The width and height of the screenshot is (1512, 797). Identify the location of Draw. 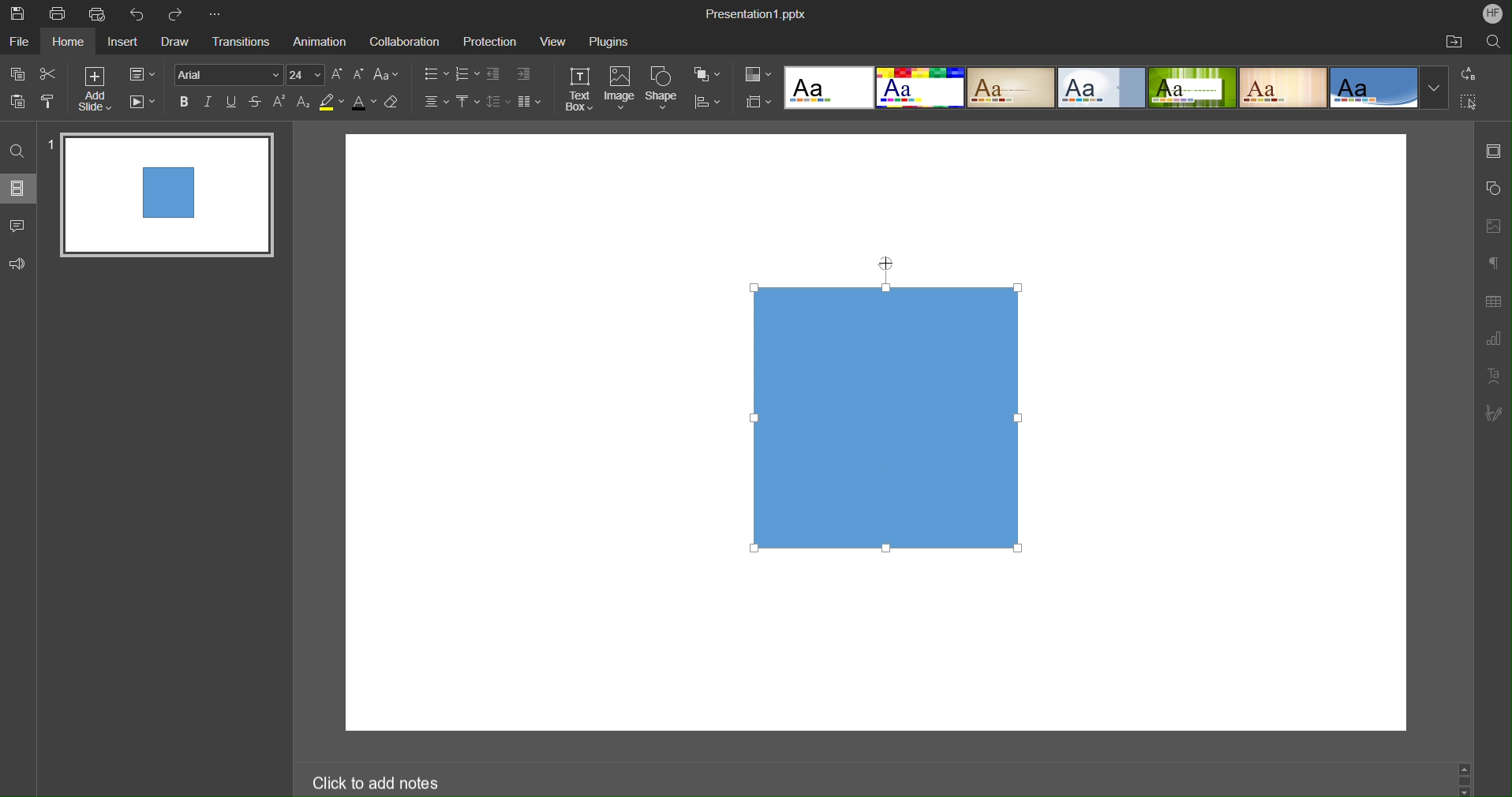
(174, 39).